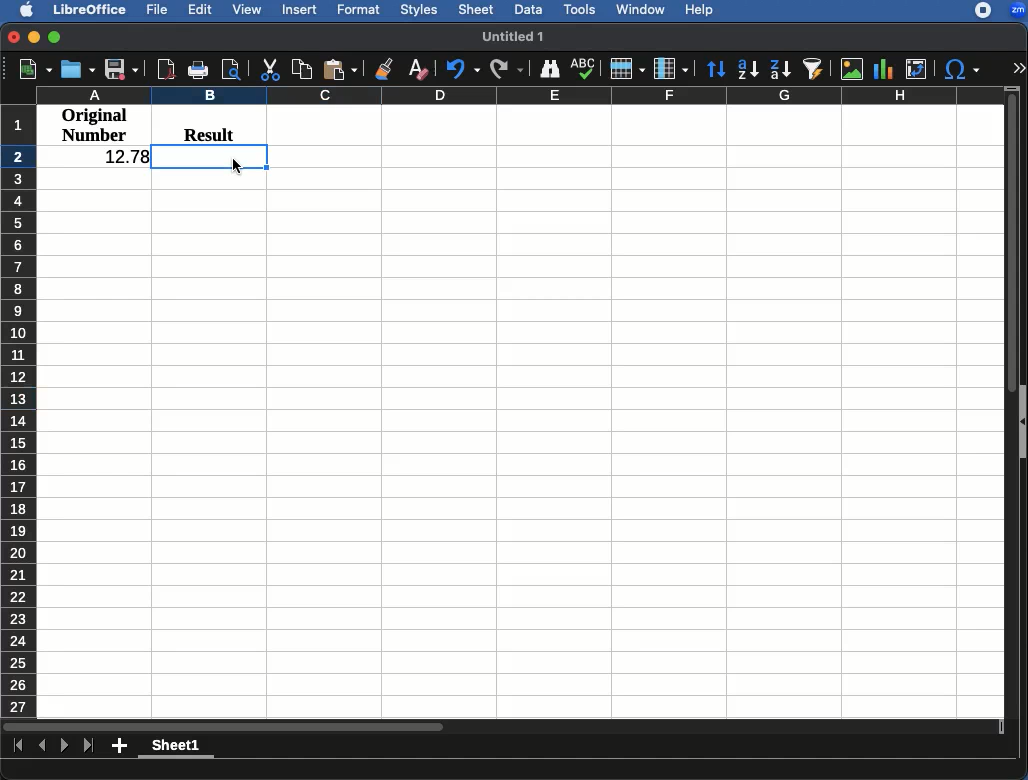  Describe the element at coordinates (1013, 400) in the screenshot. I see `Scroll` at that location.